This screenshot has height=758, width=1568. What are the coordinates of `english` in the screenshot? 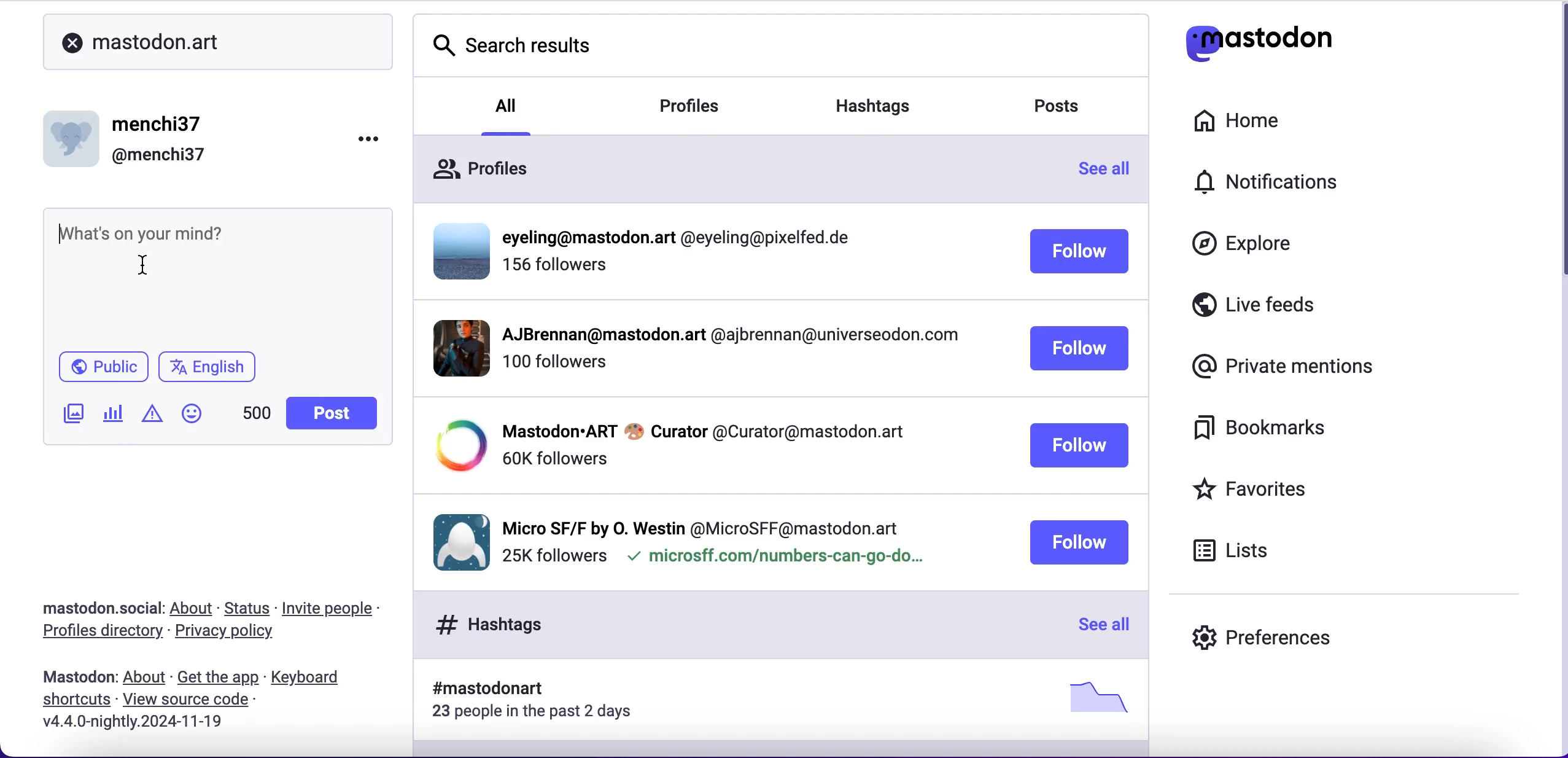 It's located at (210, 369).